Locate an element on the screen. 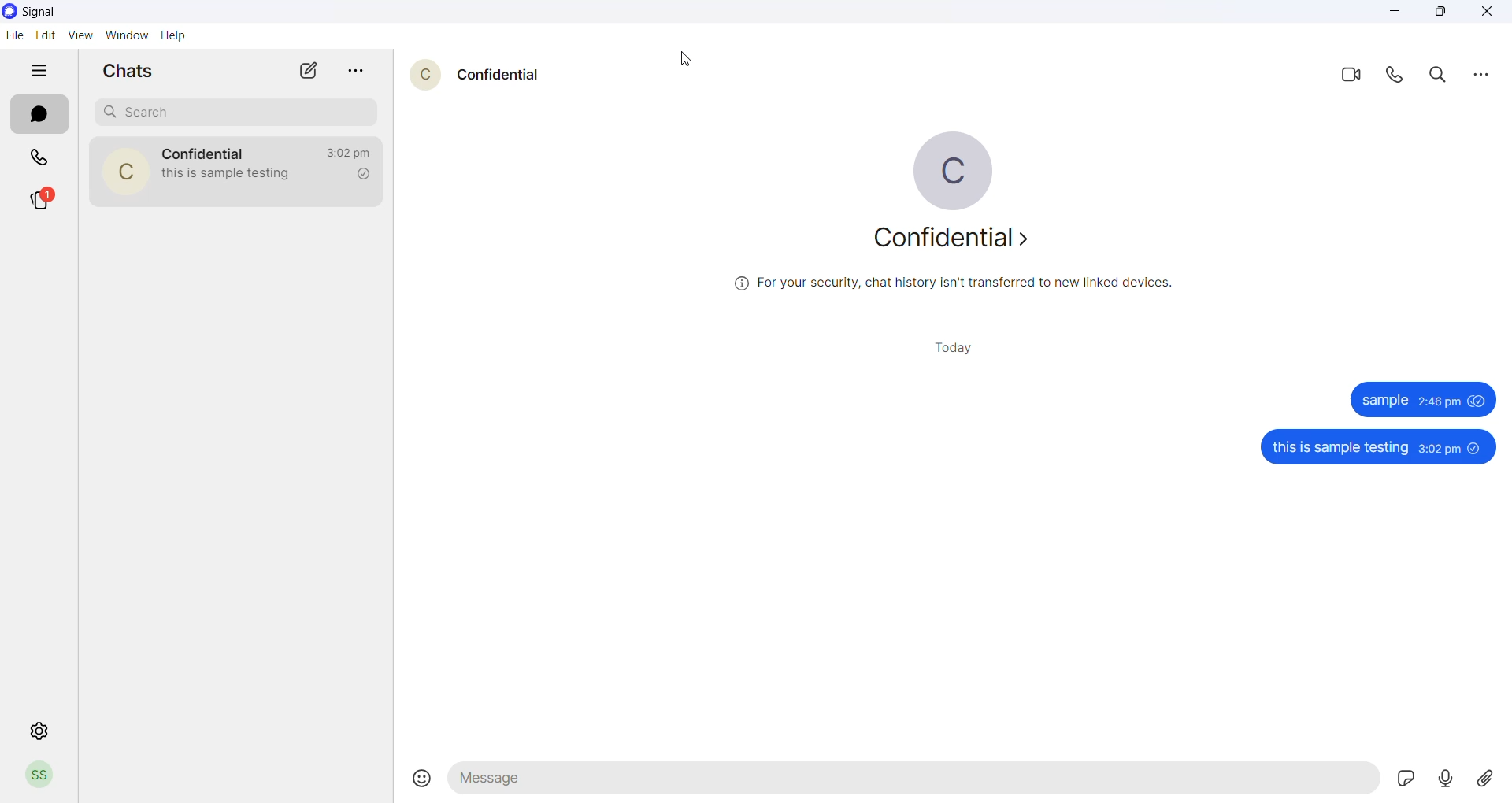 The width and height of the screenshot is (1512, 803). cursor is located at coordinates (683, 60).